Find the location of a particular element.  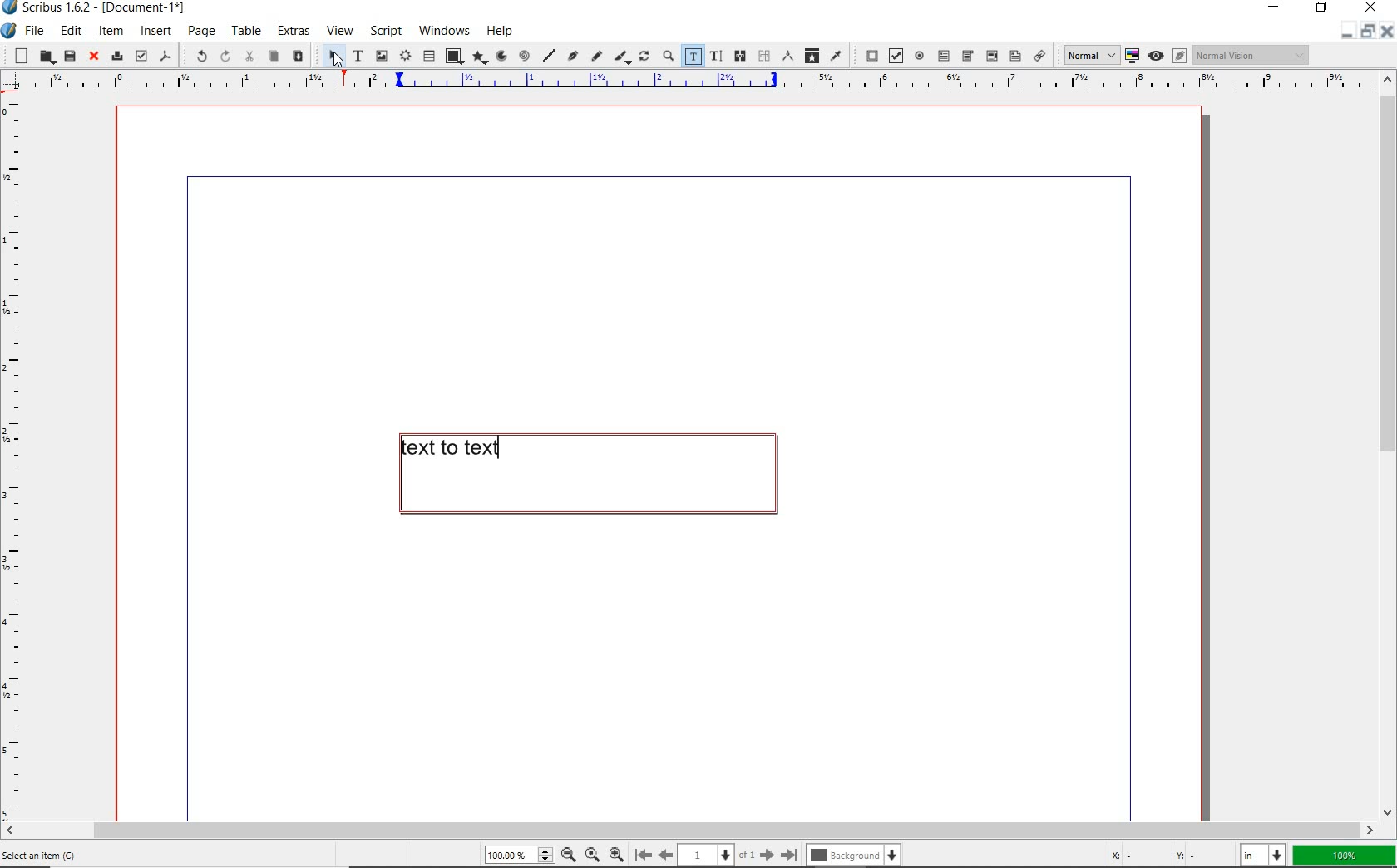

measurements is located at coordinates (787, 57).